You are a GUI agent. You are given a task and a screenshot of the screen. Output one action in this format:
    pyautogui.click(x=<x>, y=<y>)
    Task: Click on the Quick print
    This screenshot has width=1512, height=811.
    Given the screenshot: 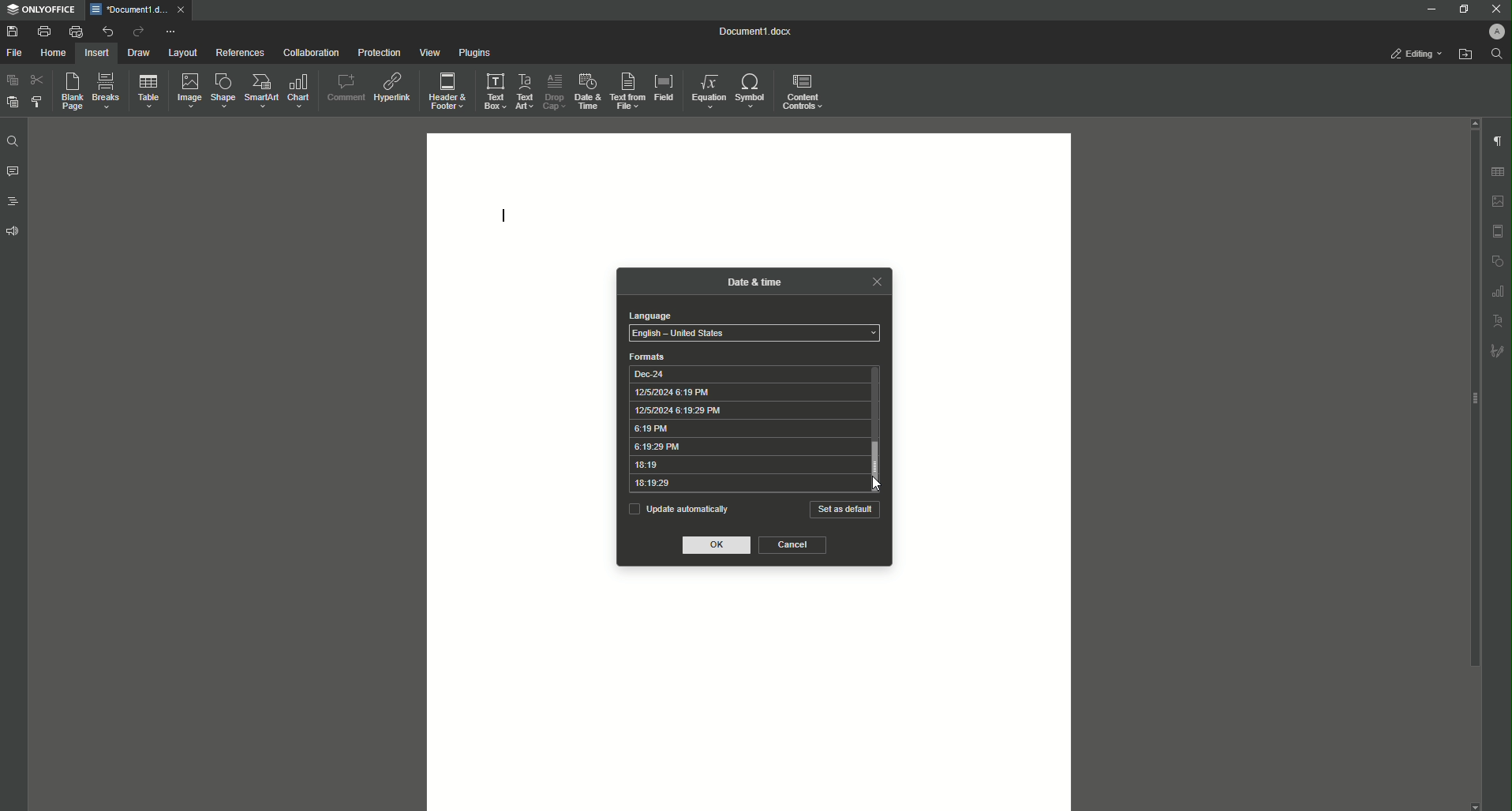 What is the action you would take?
    pyautogui.click(x=75, y=32)
    